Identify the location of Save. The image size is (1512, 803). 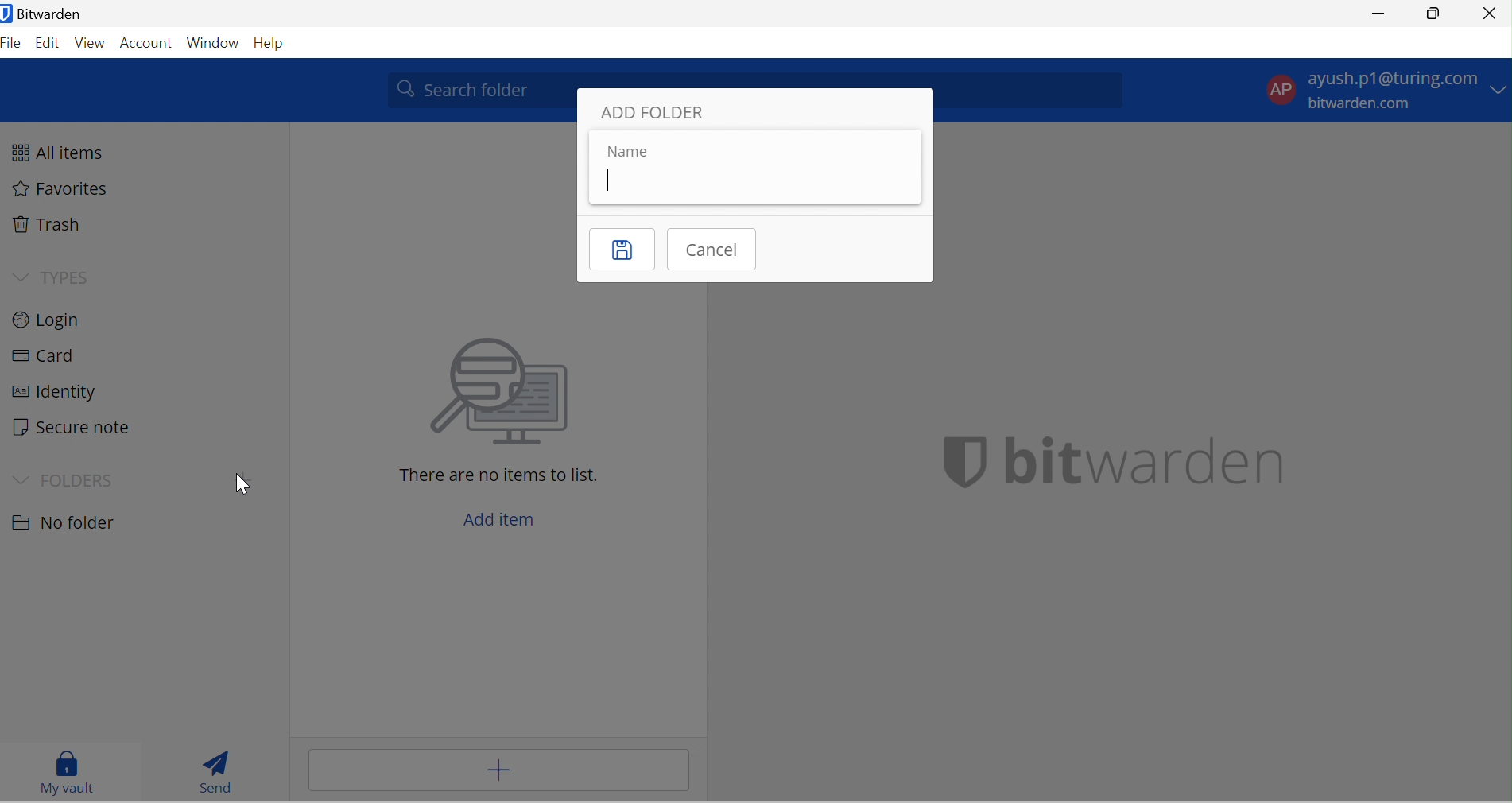
(622, 248).